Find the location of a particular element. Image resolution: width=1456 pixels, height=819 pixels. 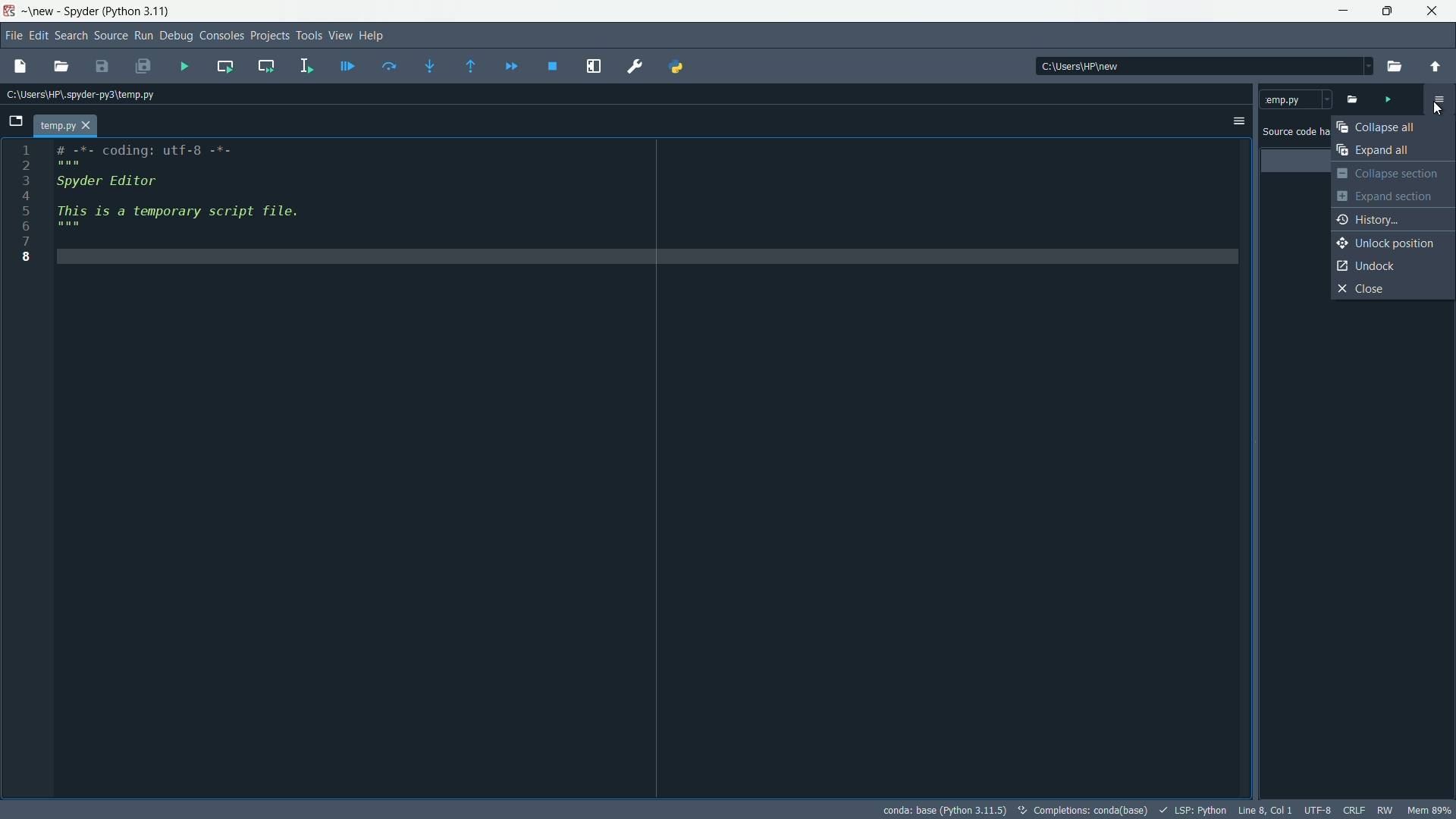

8 is located at coordinates (24, 257).